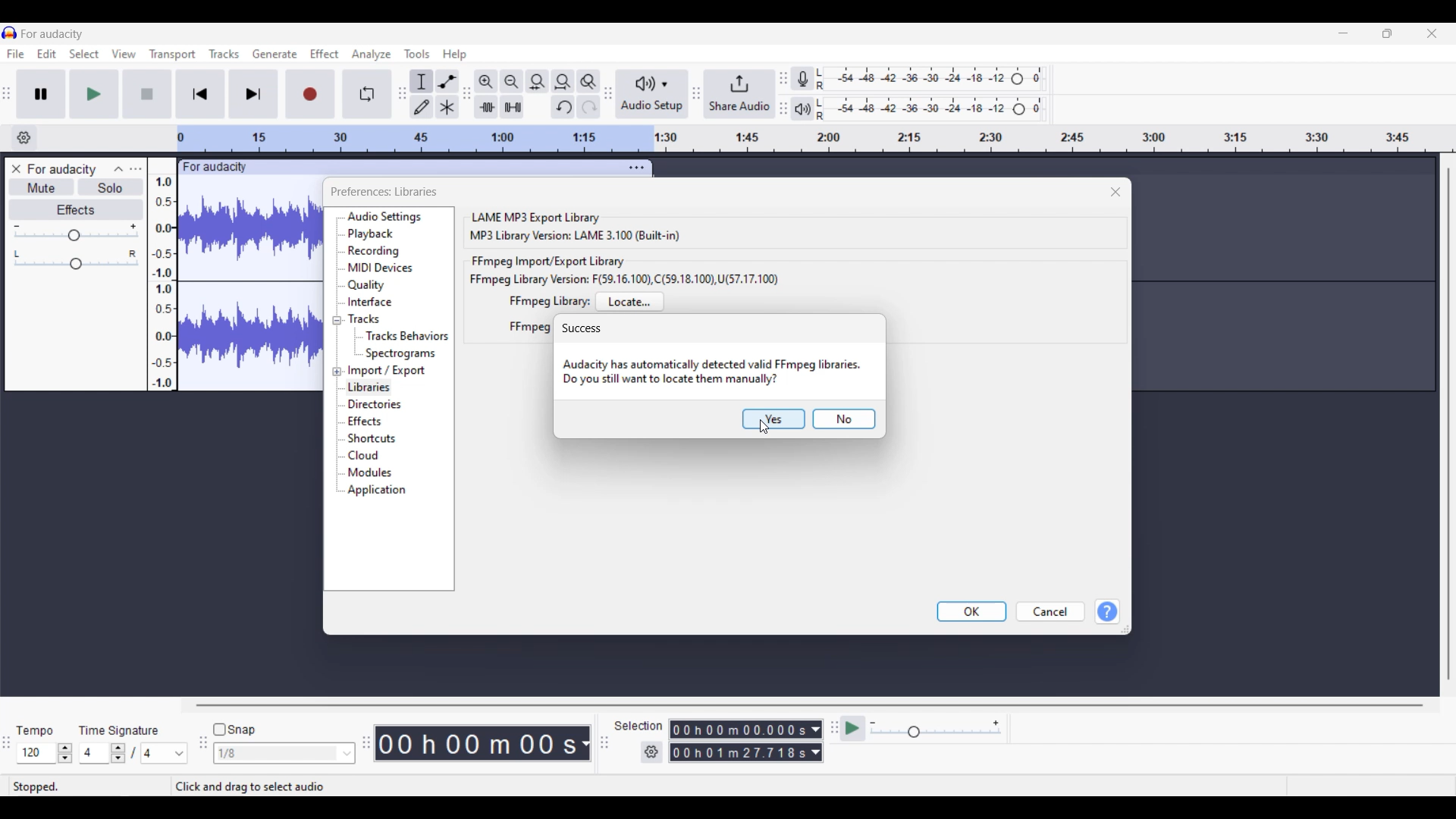  I want to click on Open menu, so click(136, 168).